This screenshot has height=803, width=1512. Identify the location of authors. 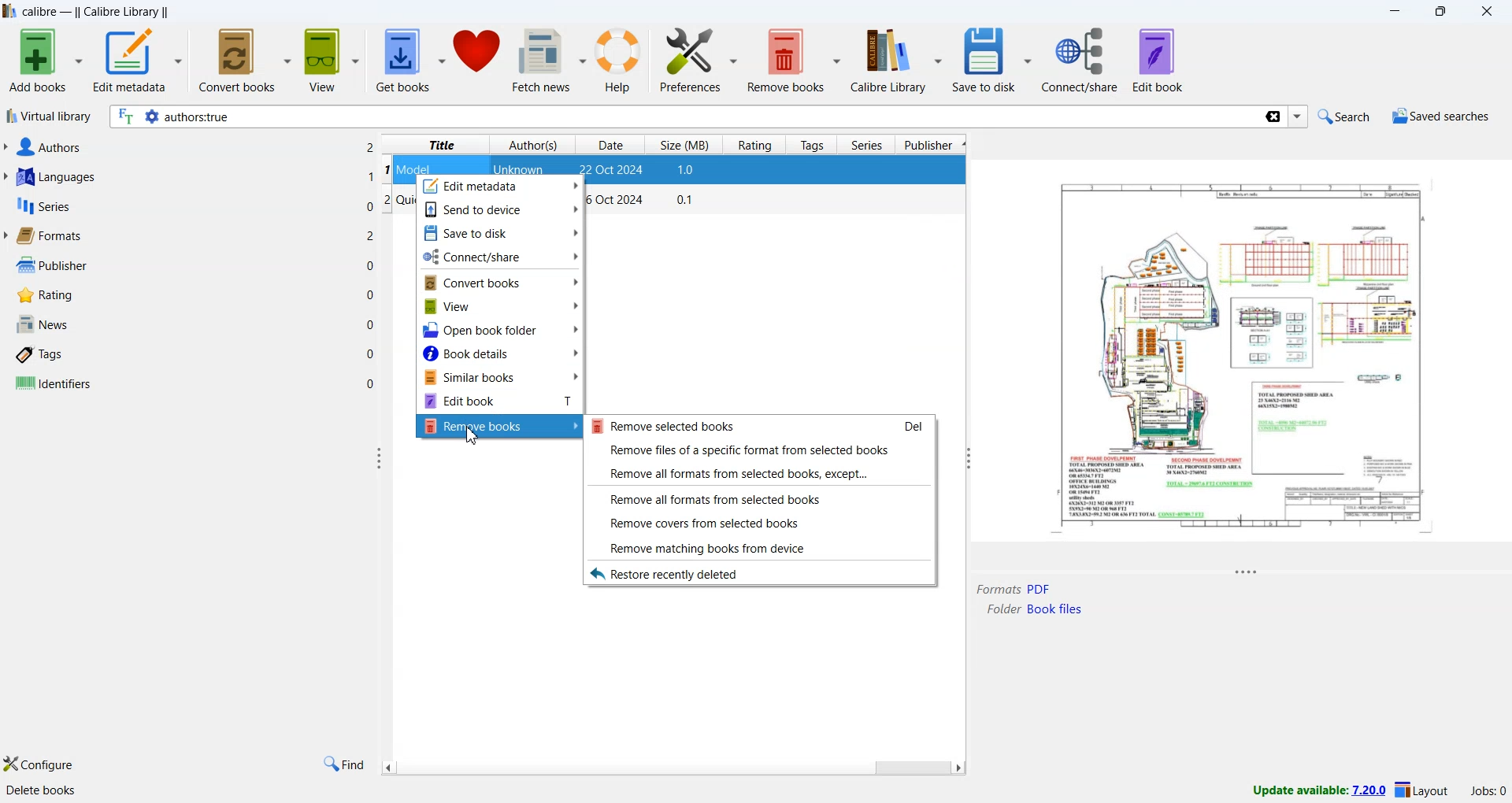
(46, 147).